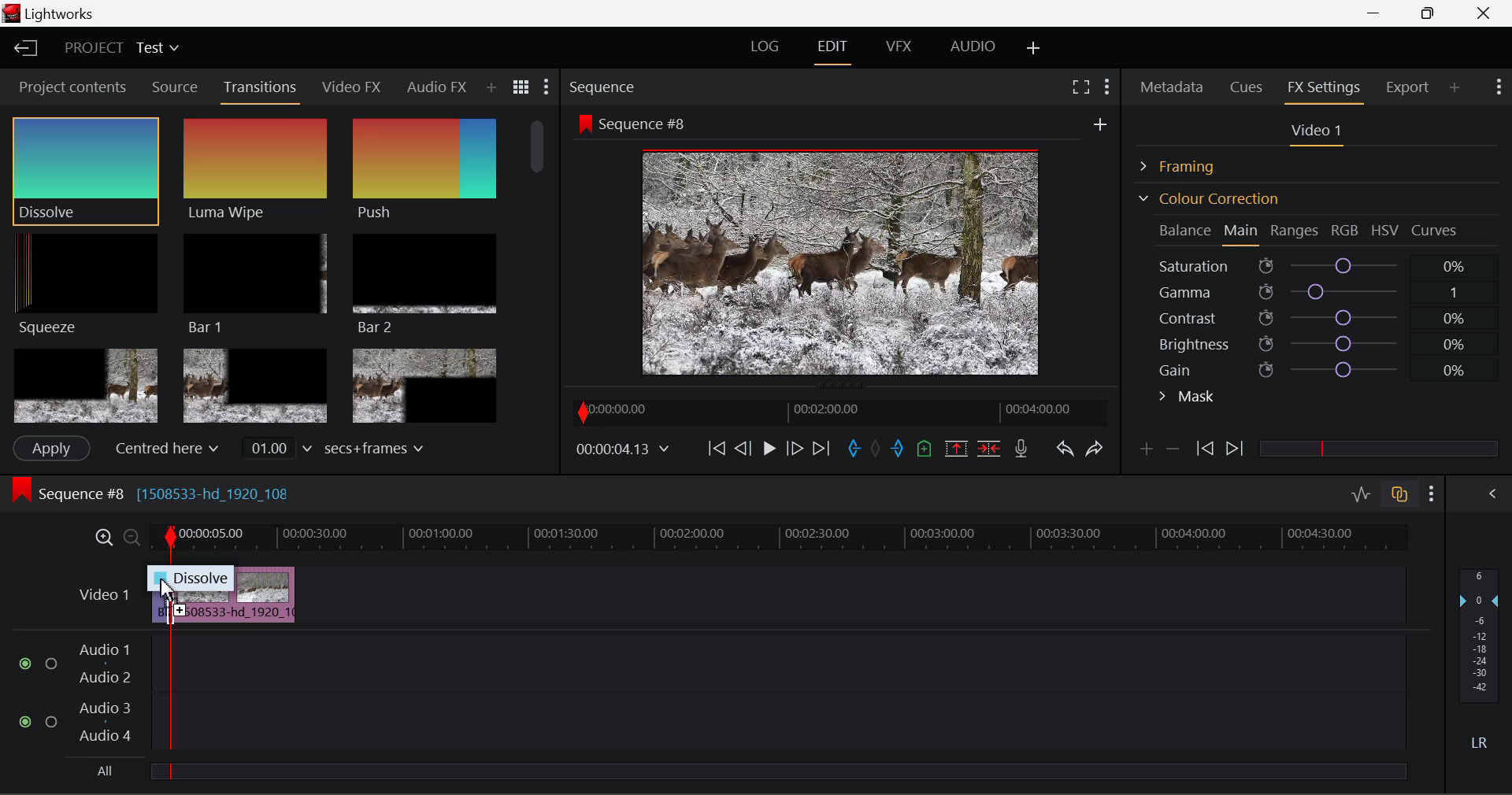  Describe the element at coordinates (1190, 164) in the screenshot. I see `Framing Section` at that location.